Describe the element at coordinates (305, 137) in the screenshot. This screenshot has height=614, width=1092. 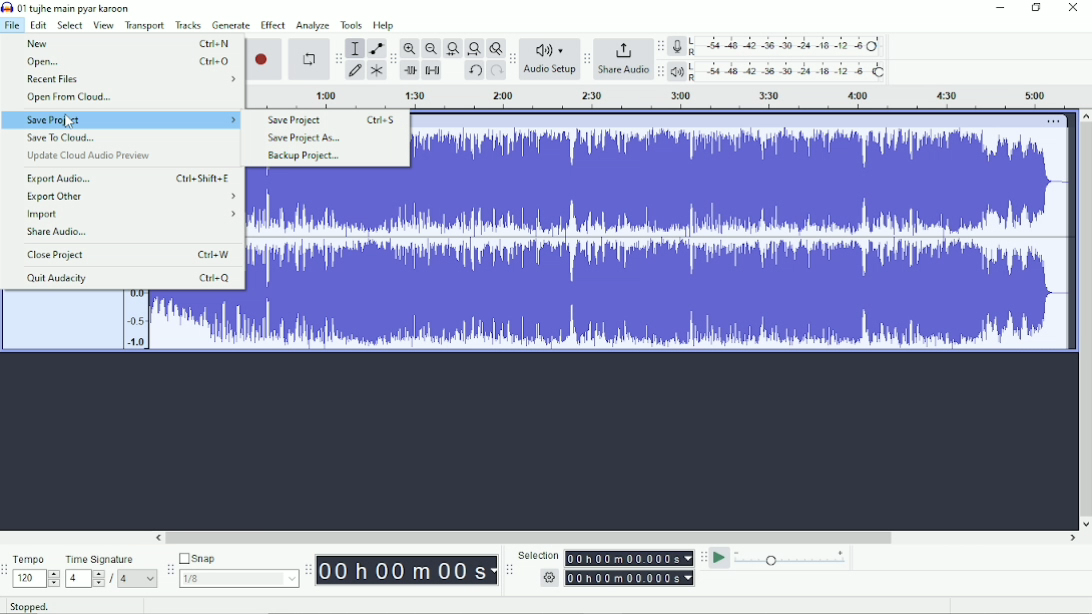
I see `Save Project As` at that location.